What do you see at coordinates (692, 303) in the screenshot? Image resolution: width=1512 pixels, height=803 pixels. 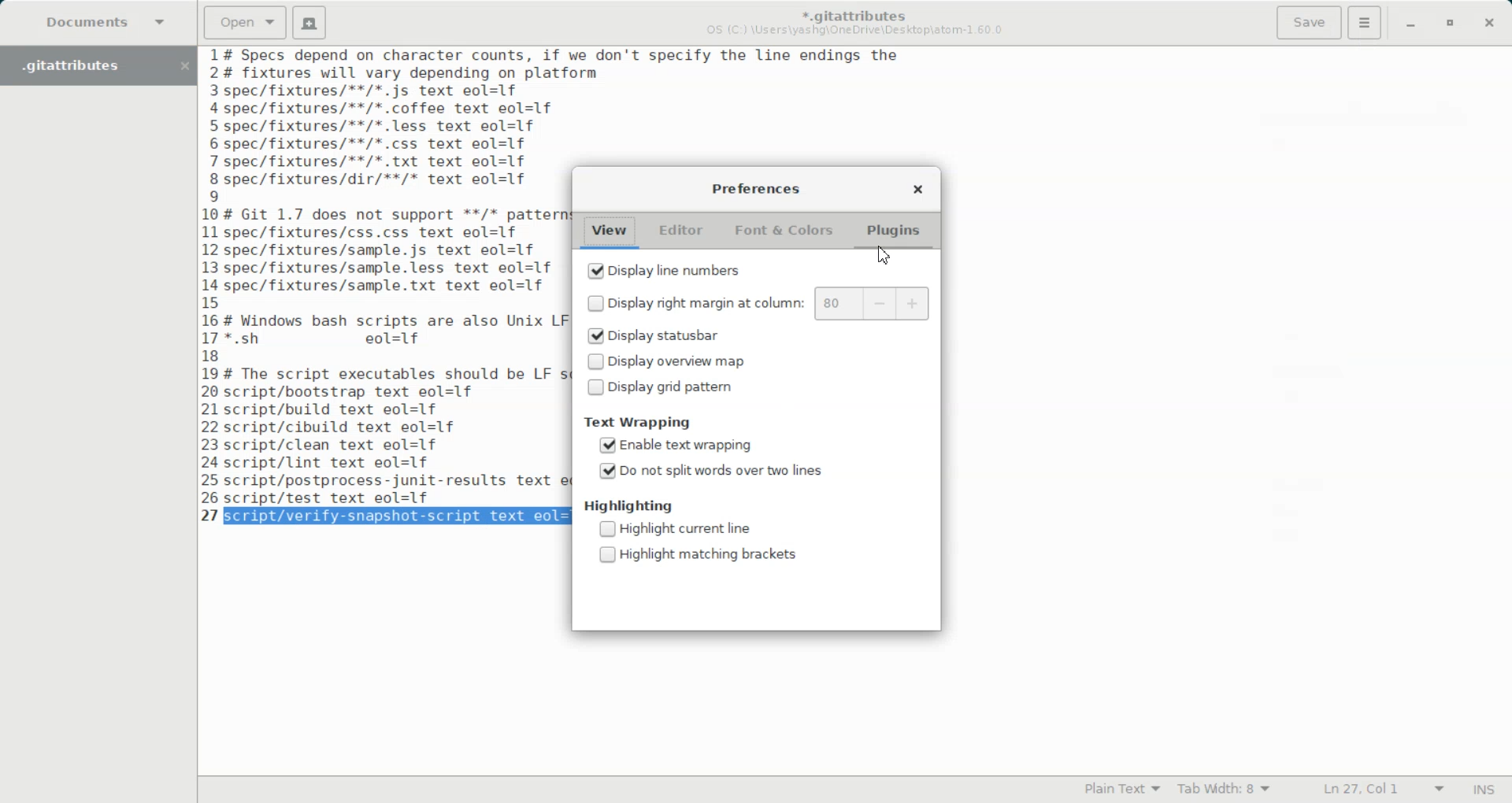 I see `Display right margin at column` at bounding box center [692, 303].